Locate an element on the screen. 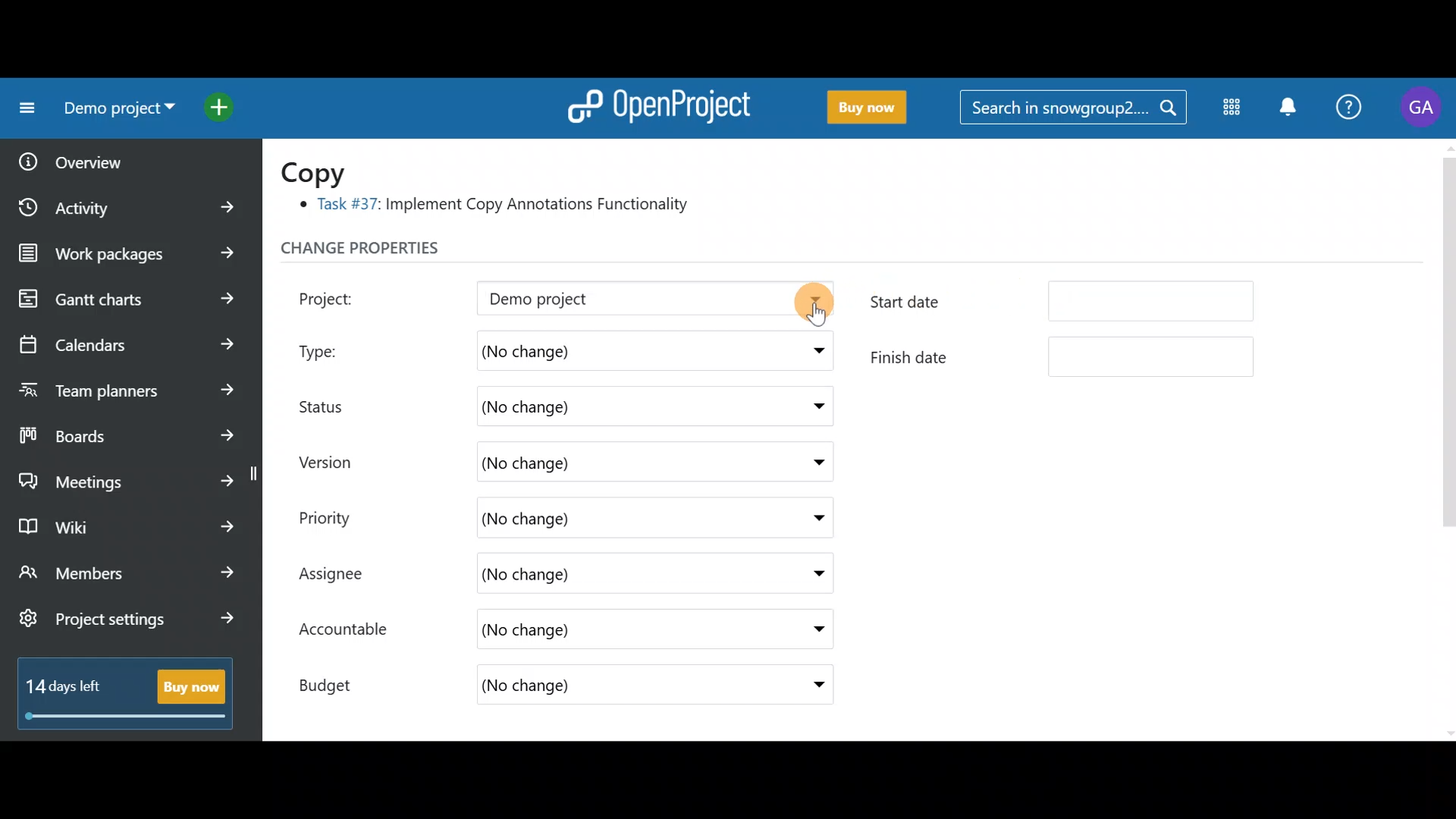 The height and width of the screenshot is (819, 1456). Accountable drop down is located at coordinates (811, 630).